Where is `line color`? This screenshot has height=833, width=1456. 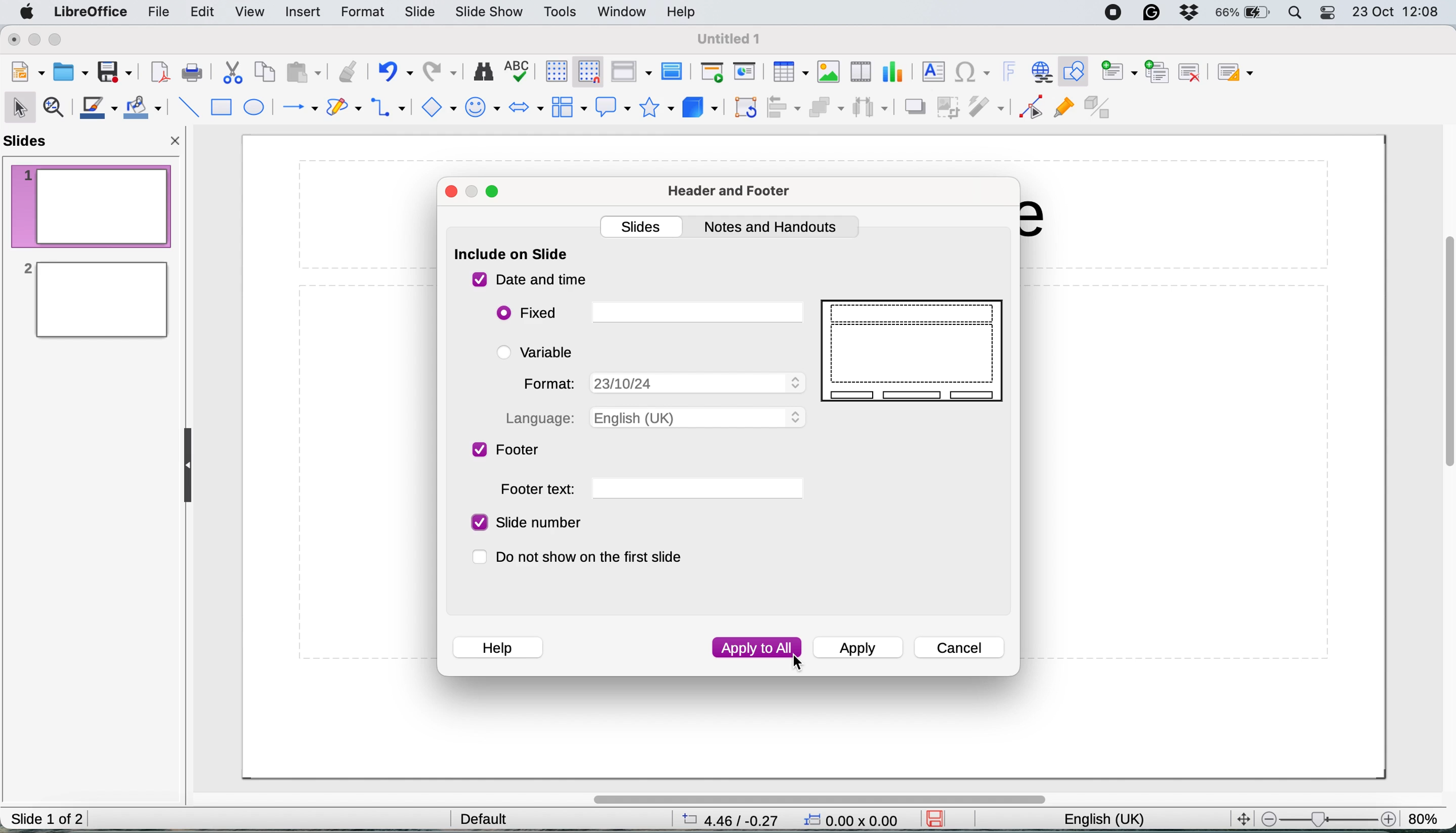 line color is located at coordinates (98, 108).